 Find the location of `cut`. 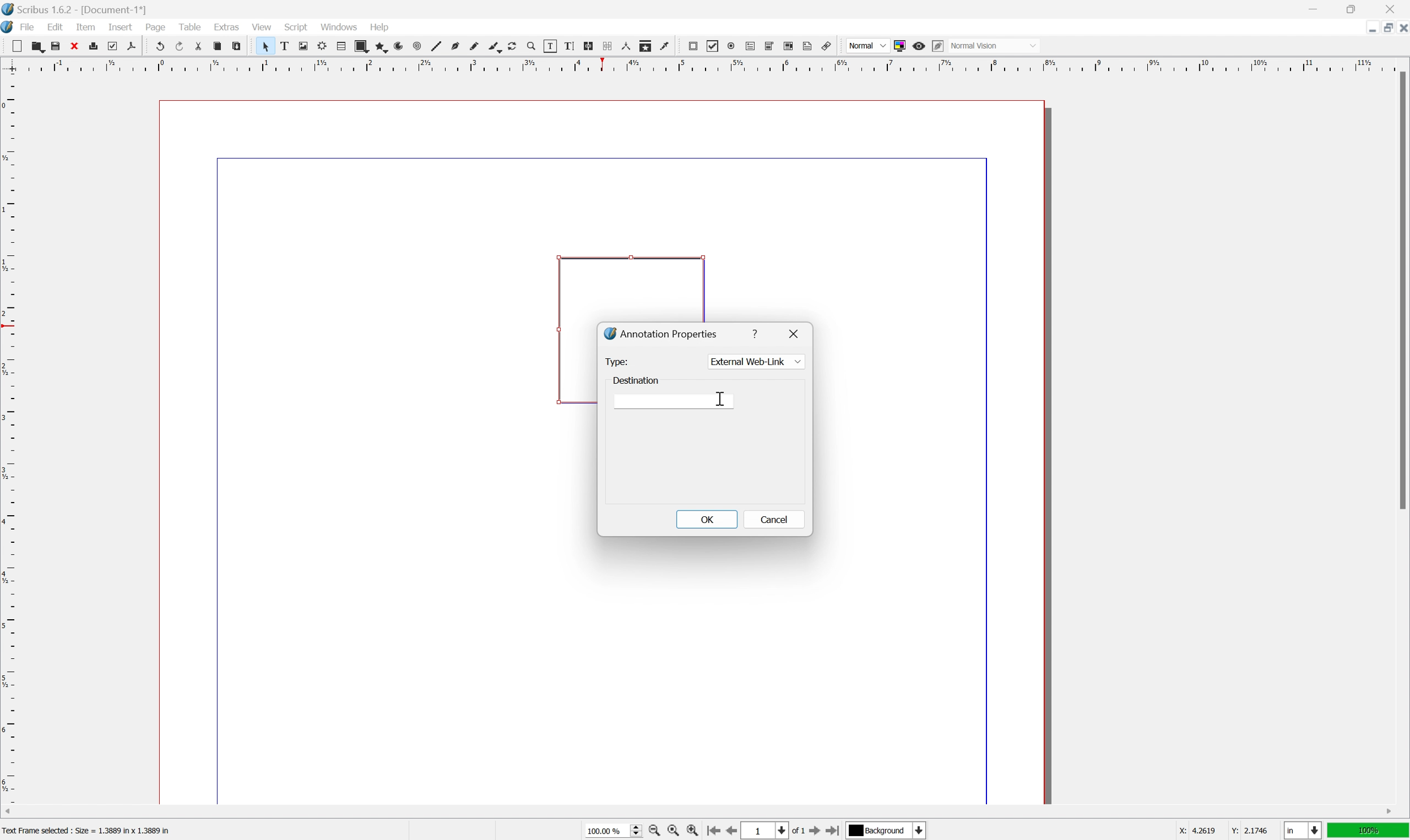

cut is located at coordinates (199, 46).